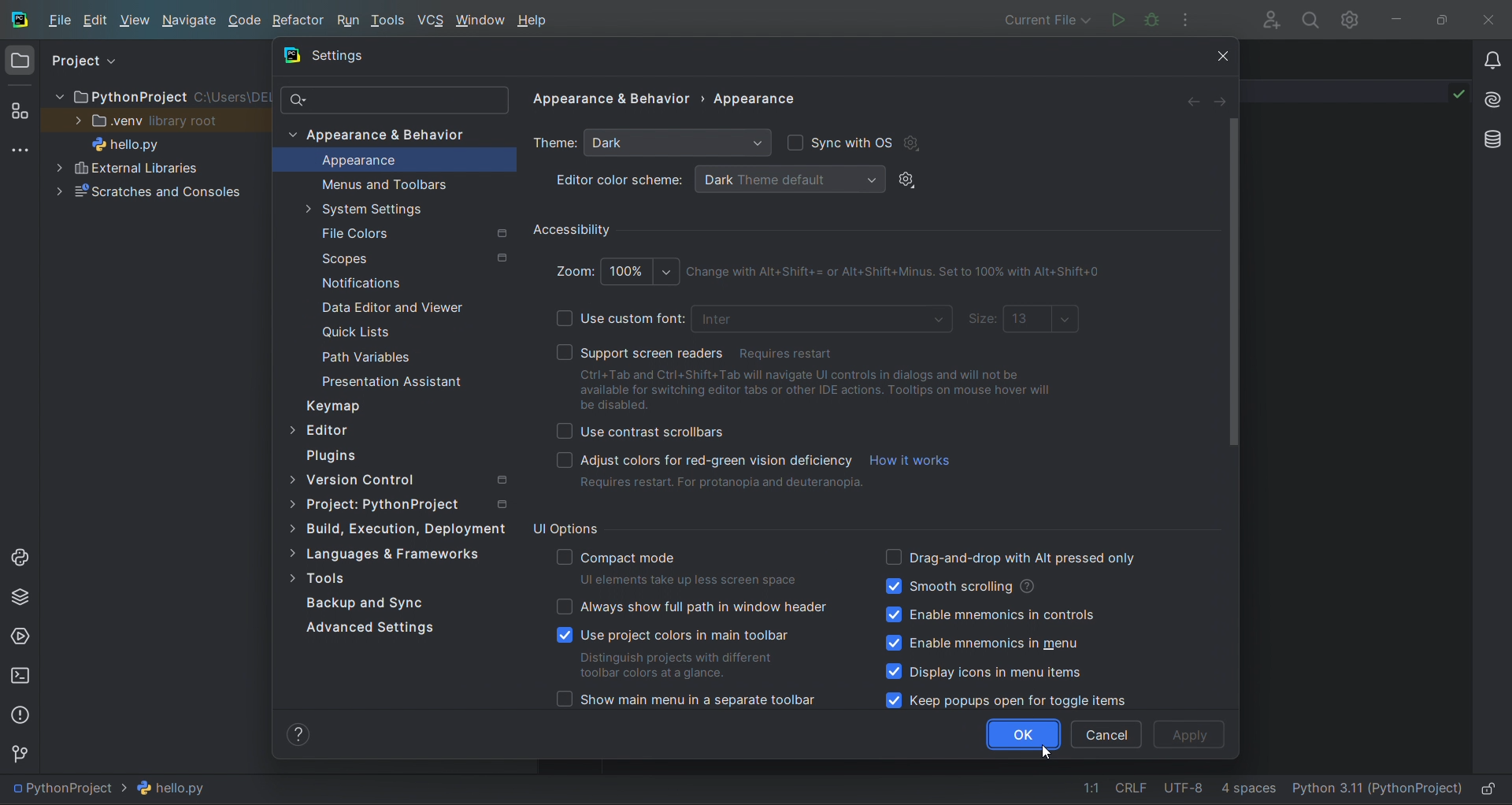  I want to click on option, so click(780, 477).